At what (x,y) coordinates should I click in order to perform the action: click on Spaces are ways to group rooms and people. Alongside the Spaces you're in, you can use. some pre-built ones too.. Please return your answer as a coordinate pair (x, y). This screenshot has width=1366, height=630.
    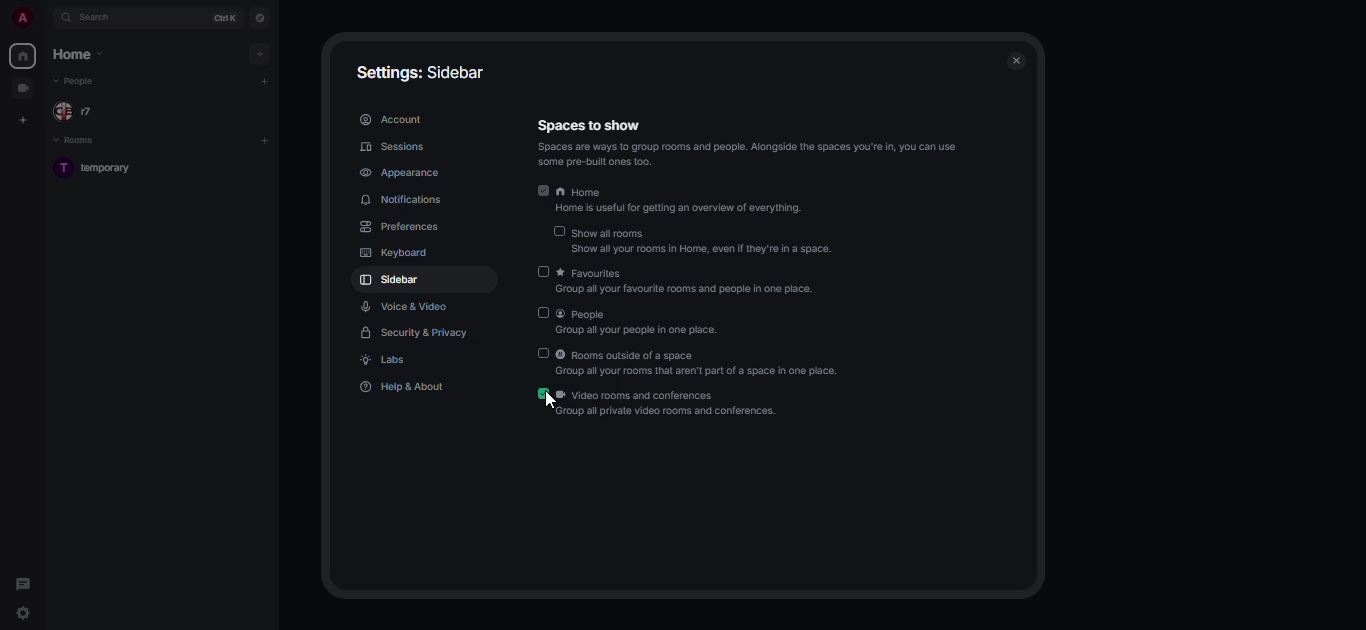
    Looking at the image, I should click on (749, 154).